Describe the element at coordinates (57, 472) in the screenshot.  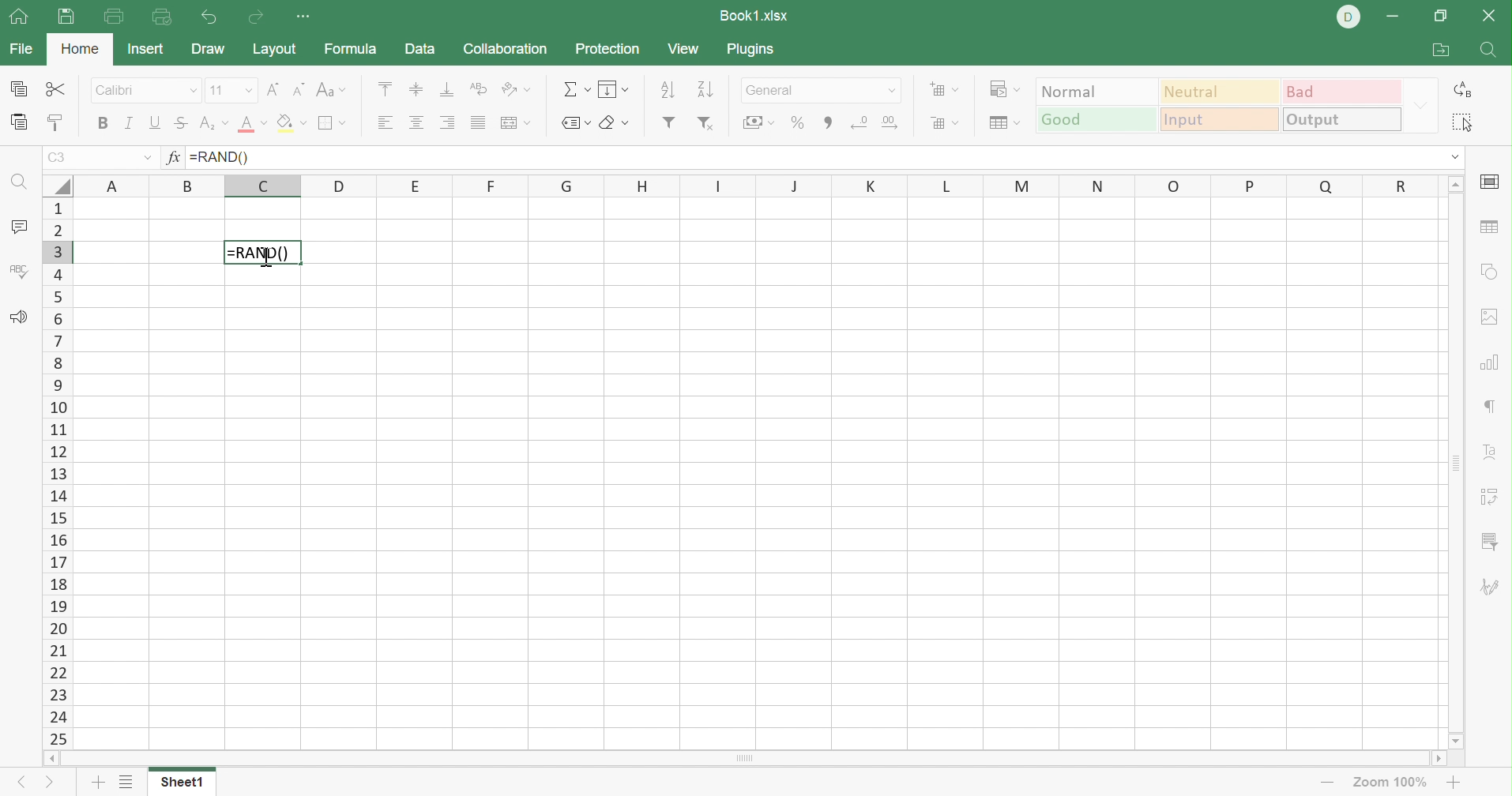
I see `Row names` at that location.